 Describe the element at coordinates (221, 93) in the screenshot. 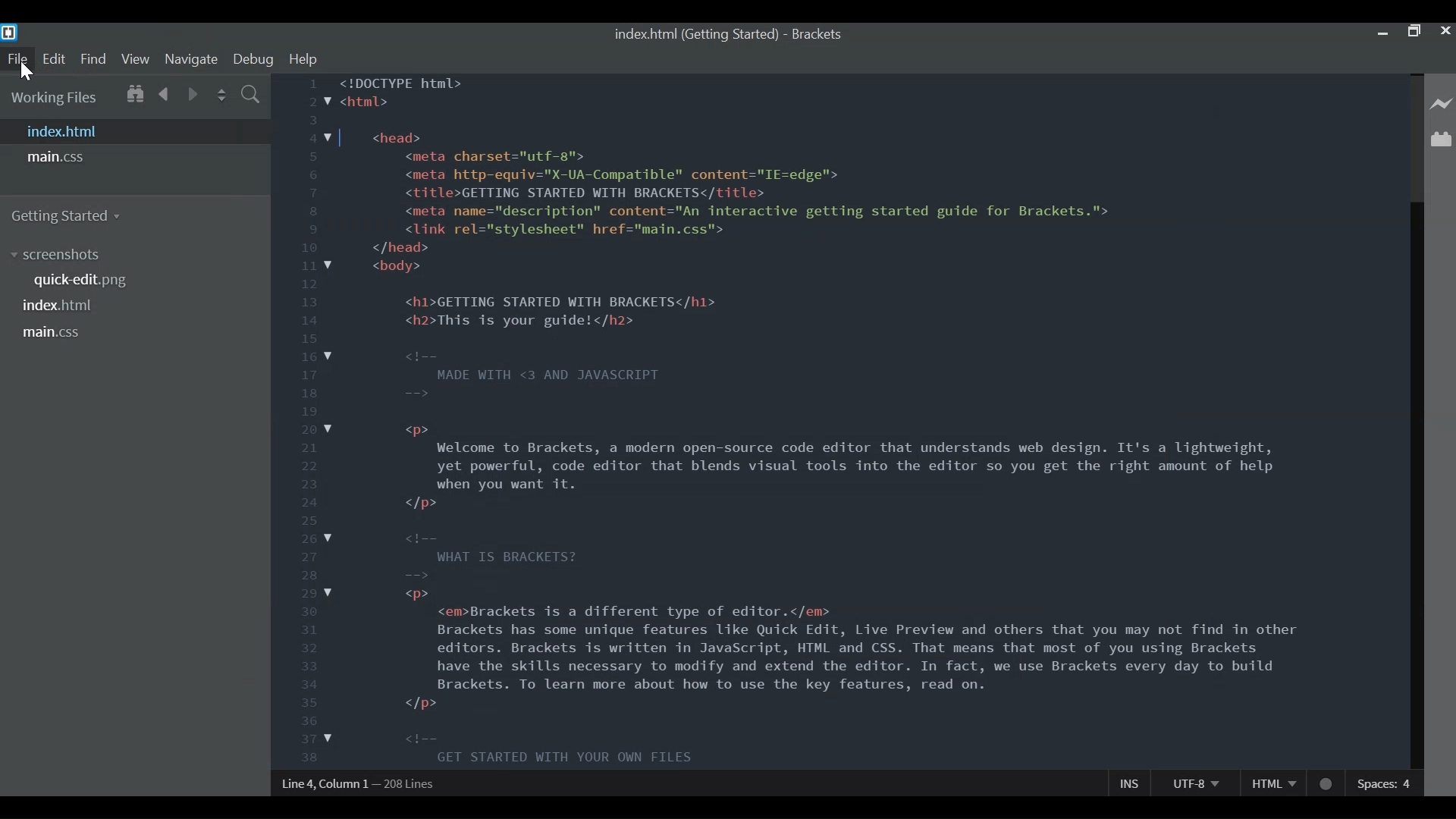

I see `Split the editor vertically or horizontally` at that location.